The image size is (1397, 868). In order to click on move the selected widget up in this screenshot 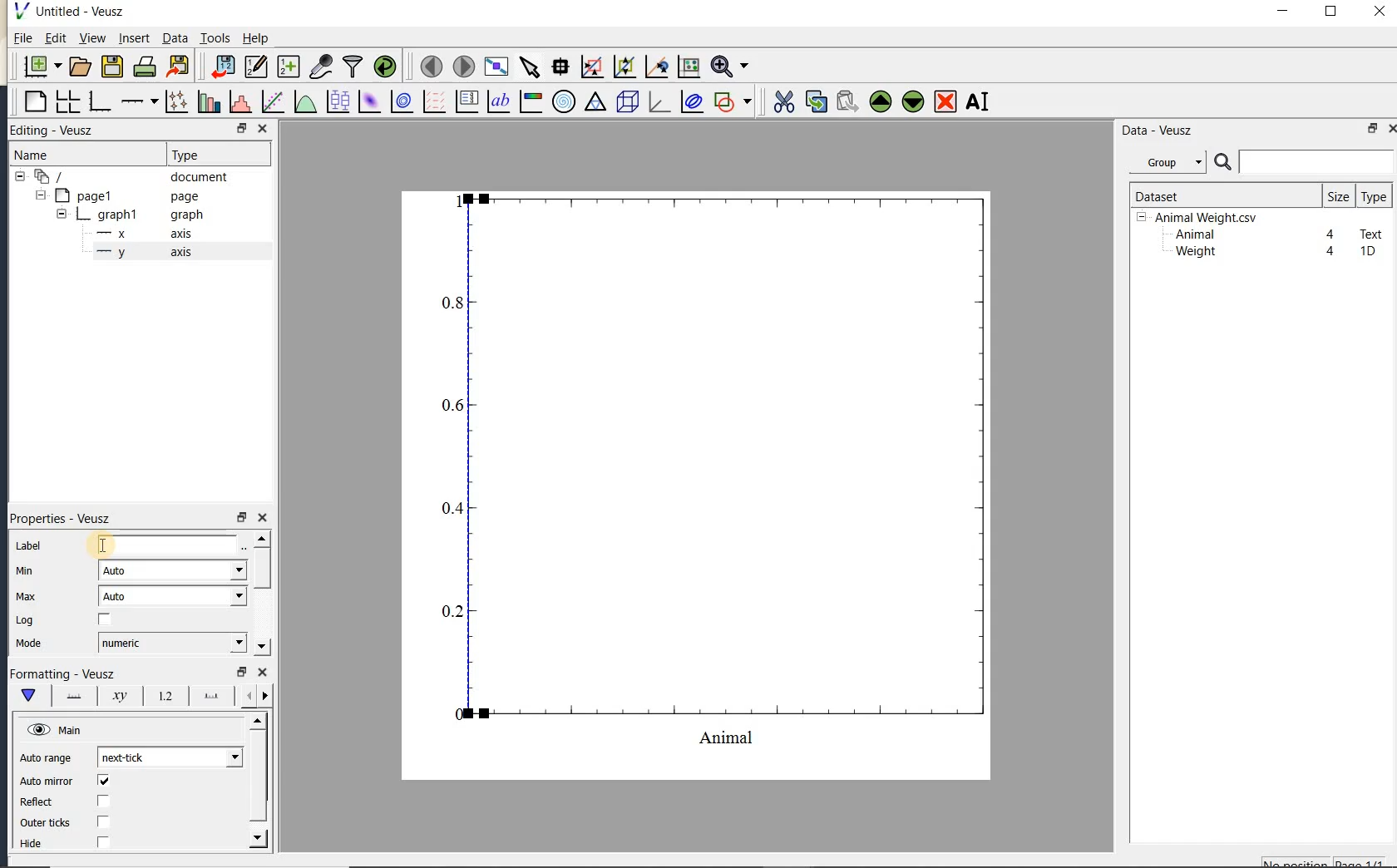, I will do `click(881, 102)`.